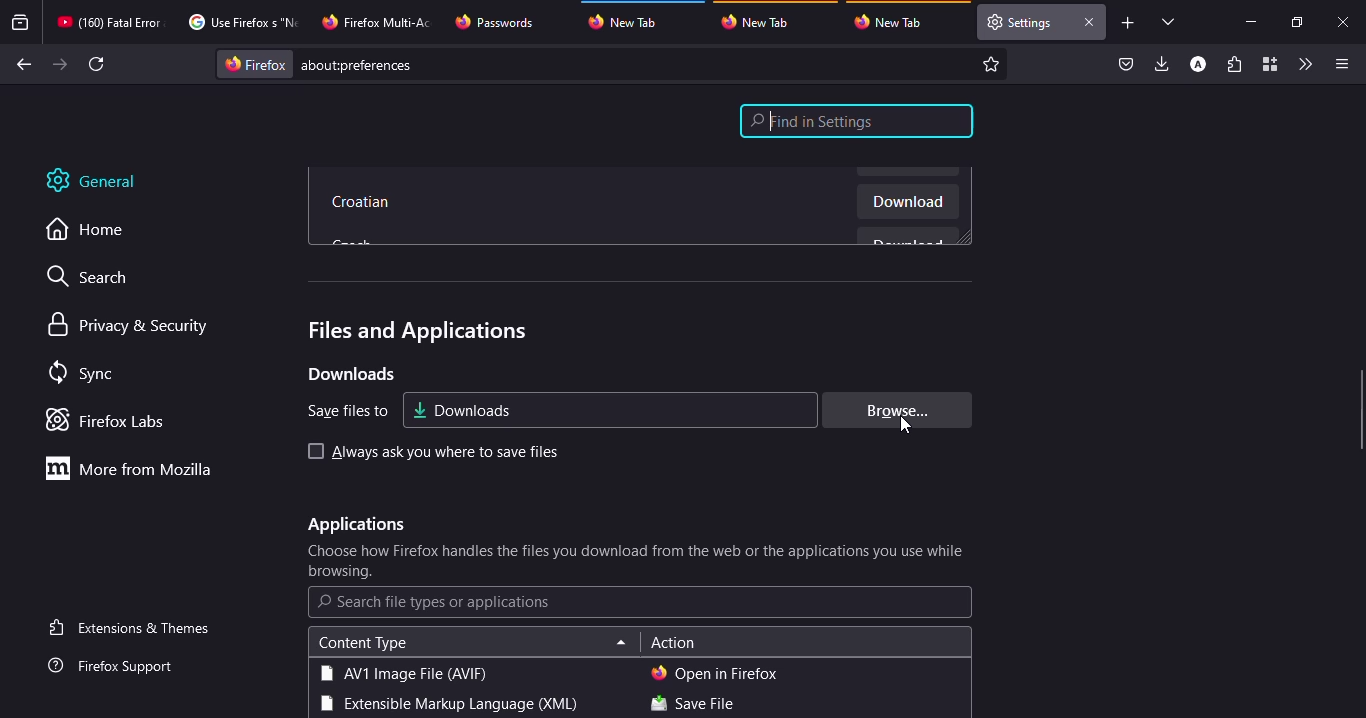 The width and height of the screenshot is (1366, 718). Describe the element at coordinates (105, 181) in the screenshot. I see `general` at that location.